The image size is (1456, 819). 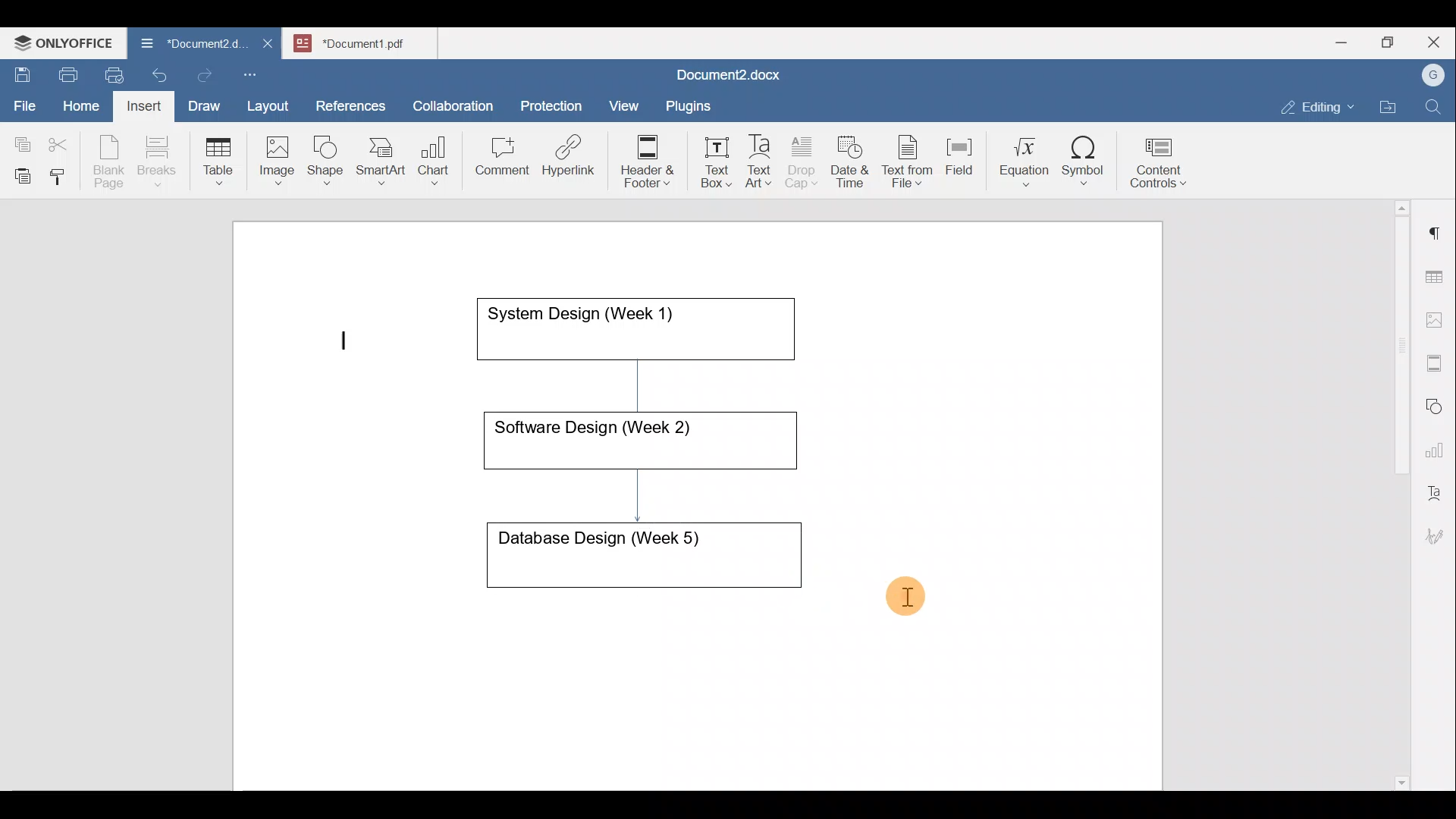 What do you see at coordinates (1318, 104) in the screenshot?
I see `Editing mode` at bounding box center [1318, 104].